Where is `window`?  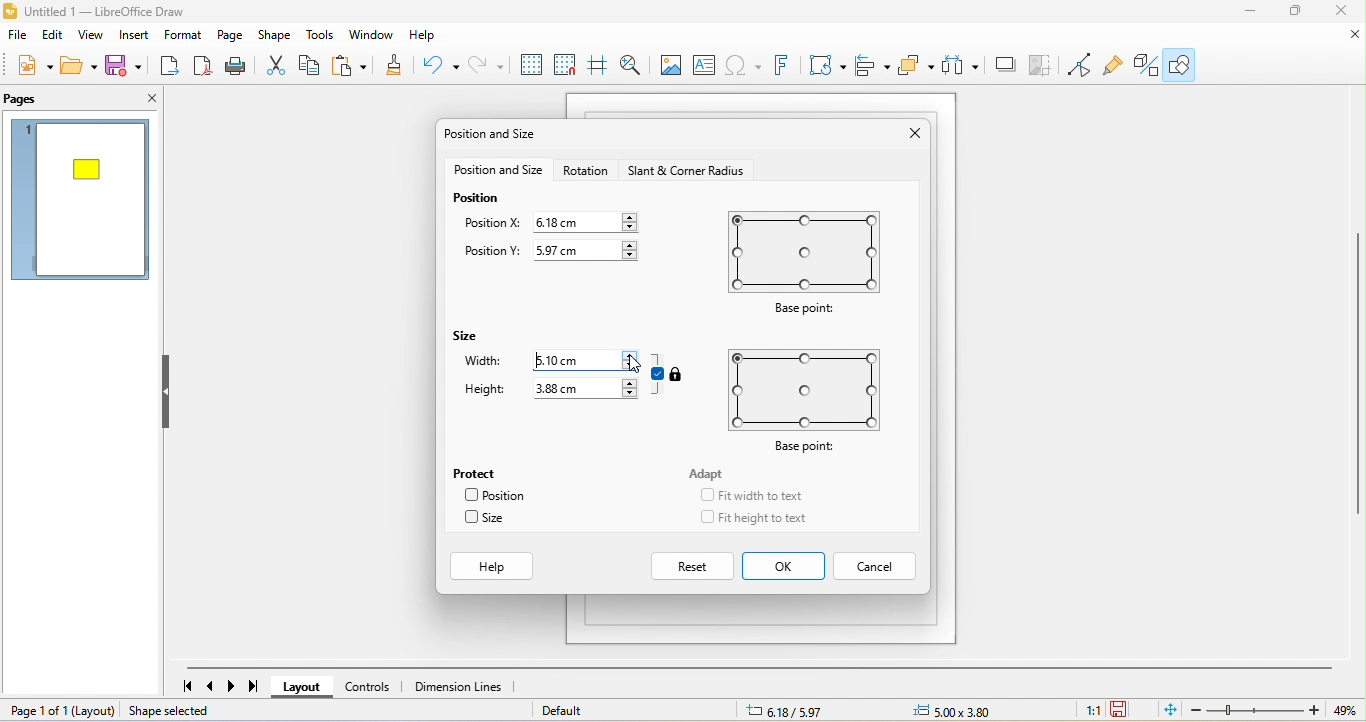 window is located at coordinates (375, 35).